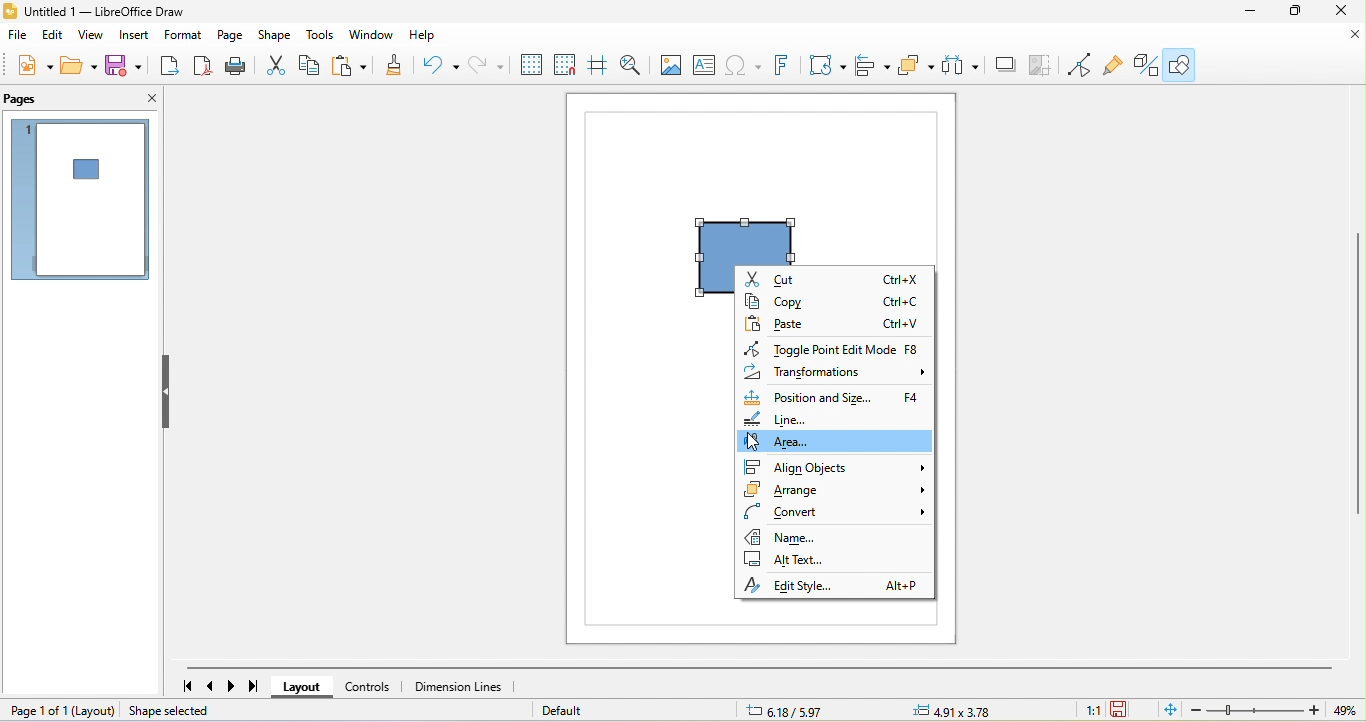 This screenshot has width=1366, height=722. I want to click on 1:1, so click(1091, 711).